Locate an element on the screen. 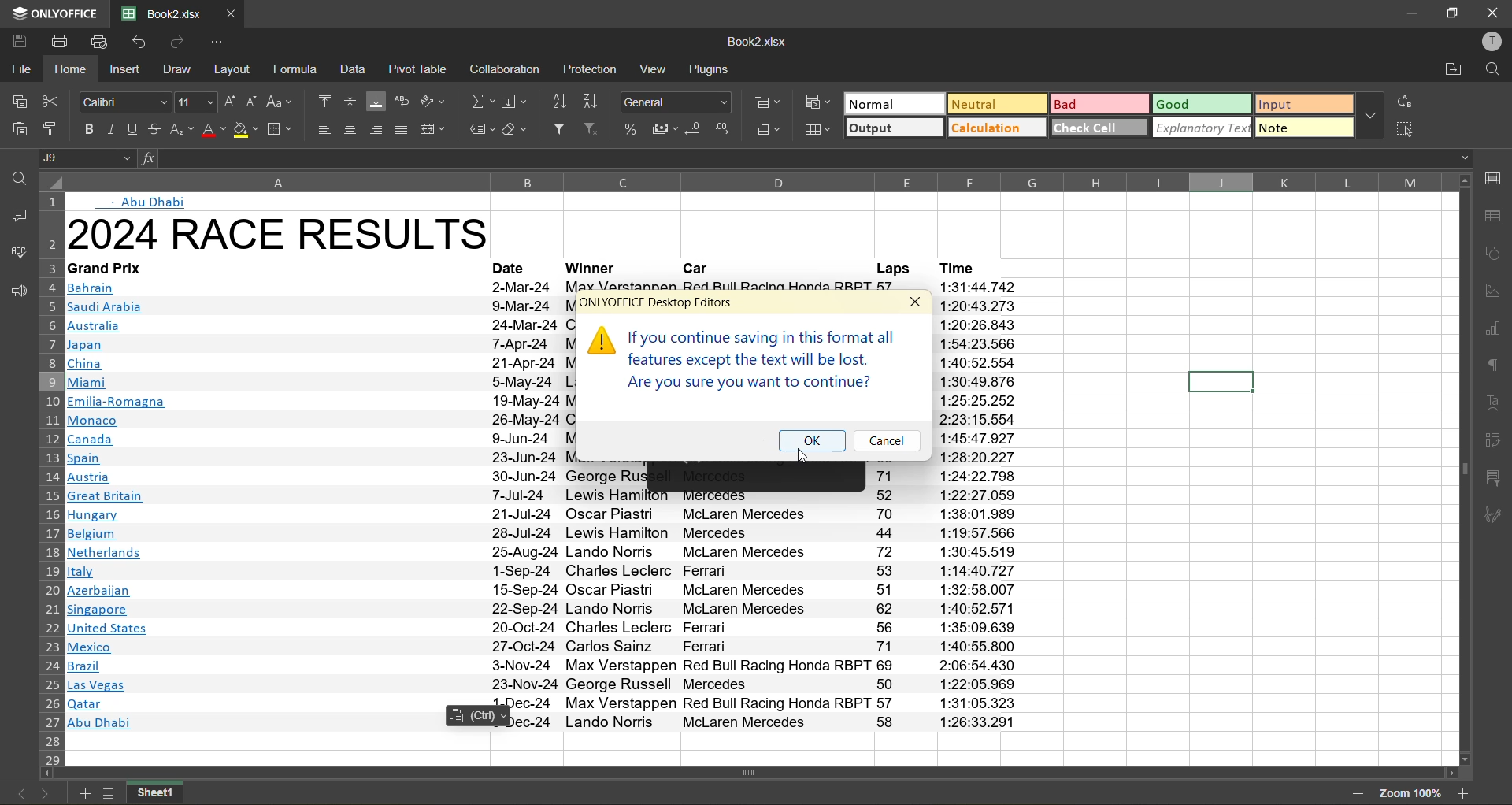  text info is located at coordinates (542, 515).